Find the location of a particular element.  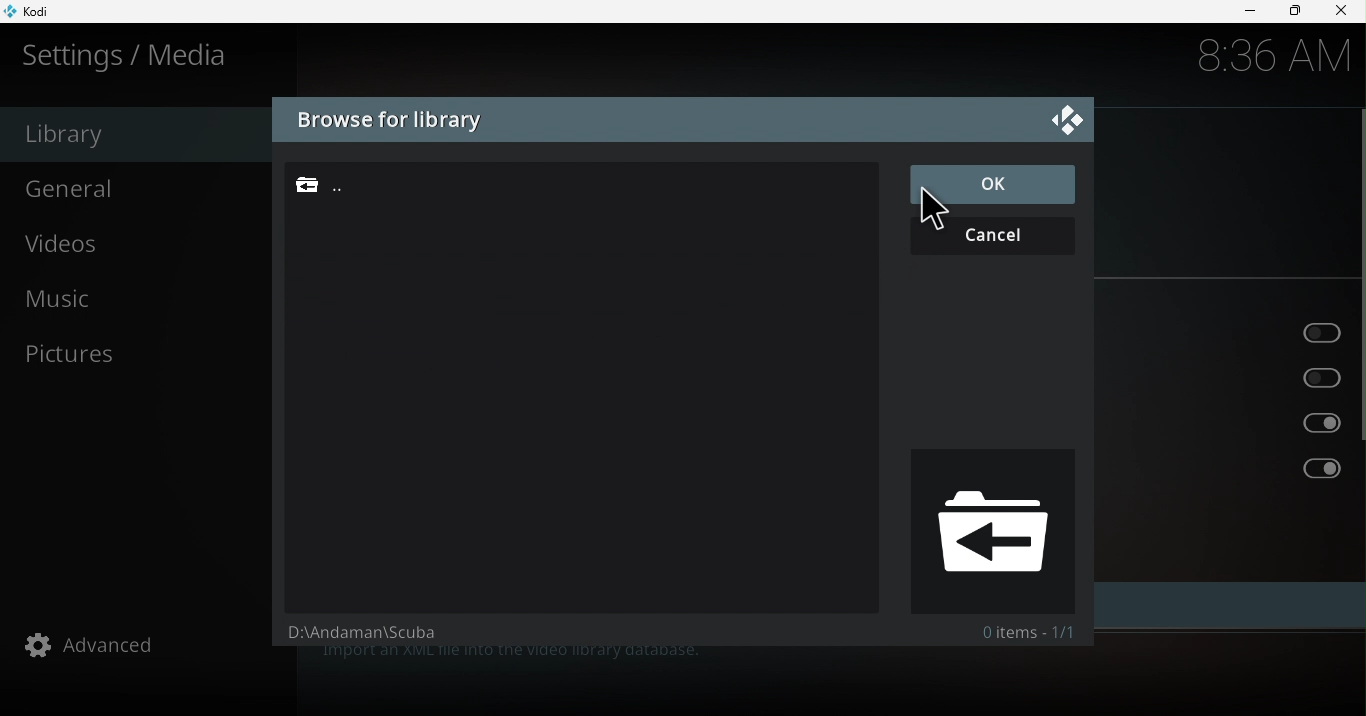

Ignore video extras on scan is located at coordinates (1229, 469).